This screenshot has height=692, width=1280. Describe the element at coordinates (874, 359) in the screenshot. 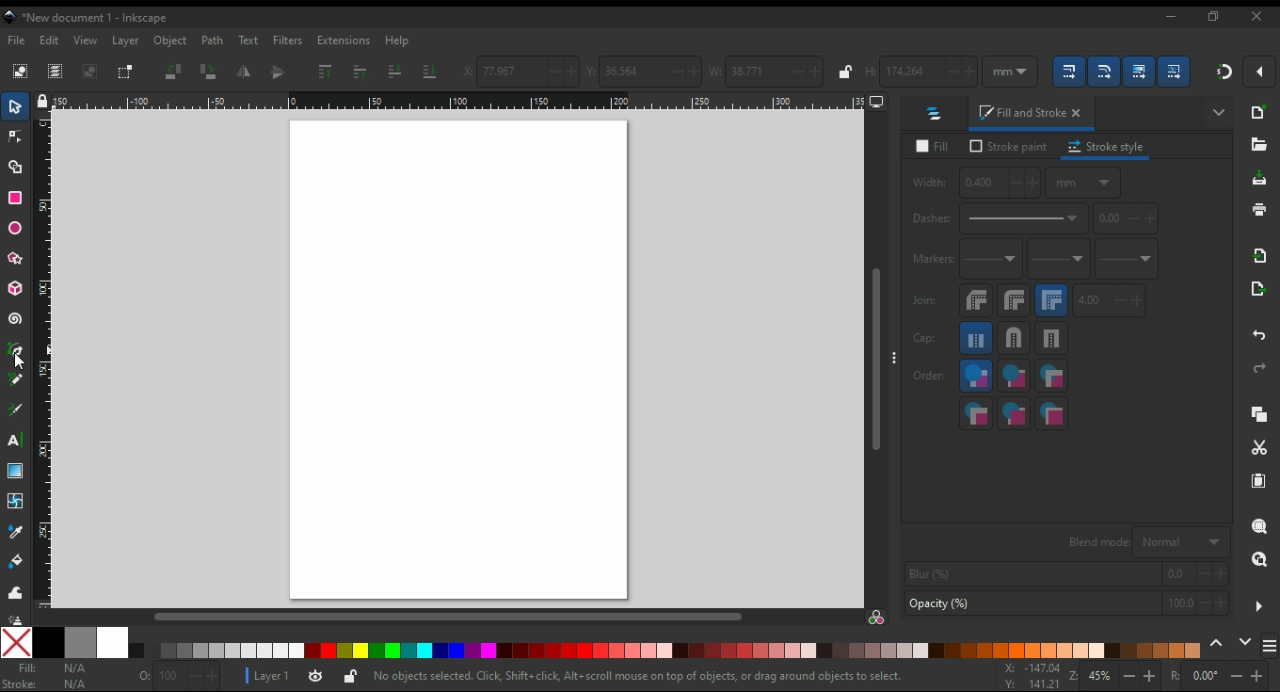

I see `scroll bar` at that location.